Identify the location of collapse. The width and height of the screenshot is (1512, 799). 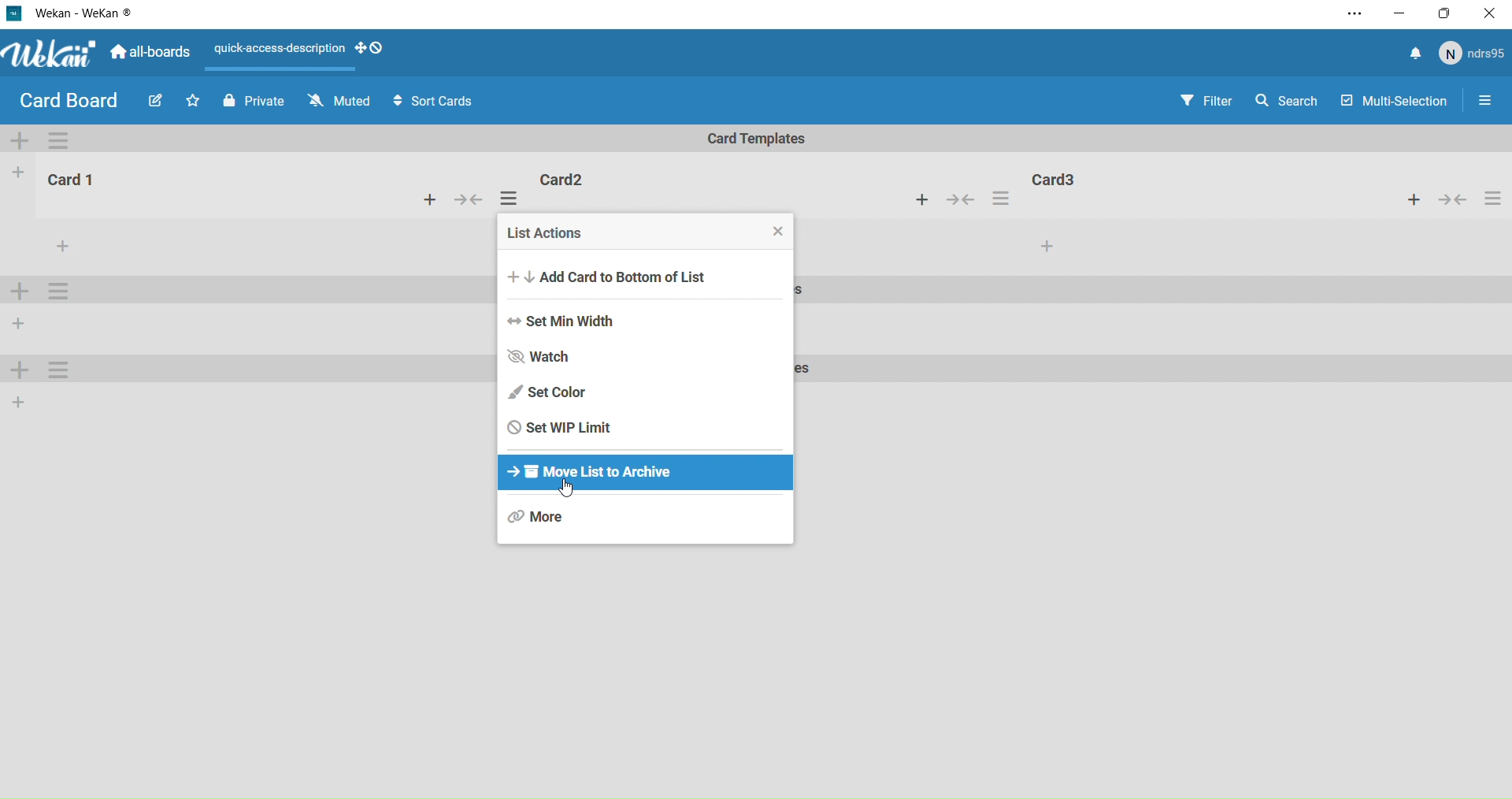
(960, 199).